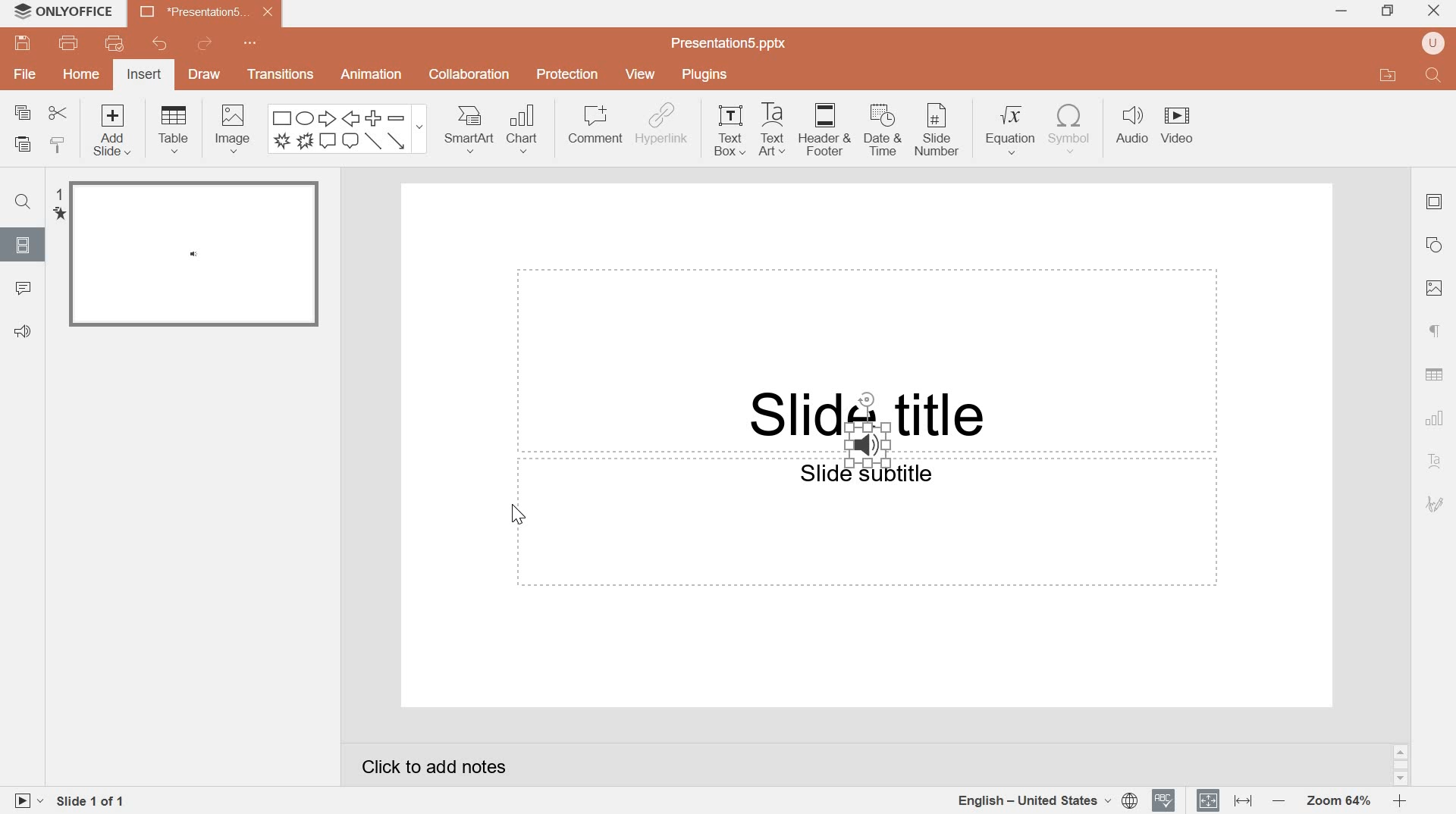  I want to click on Quick print, so click(115, 42).